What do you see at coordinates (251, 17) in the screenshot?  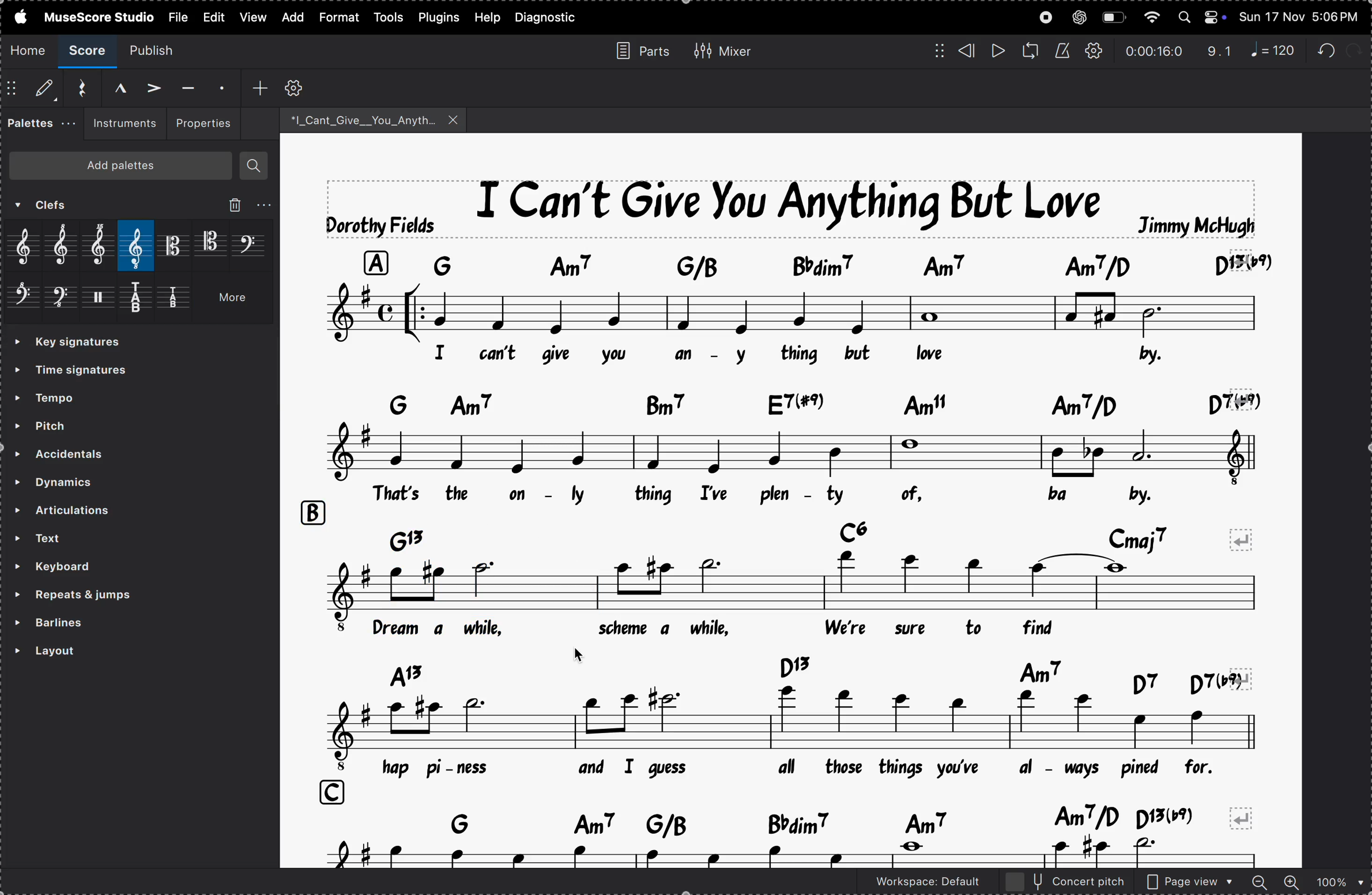 I see `view` at bounding box center [251, 17].